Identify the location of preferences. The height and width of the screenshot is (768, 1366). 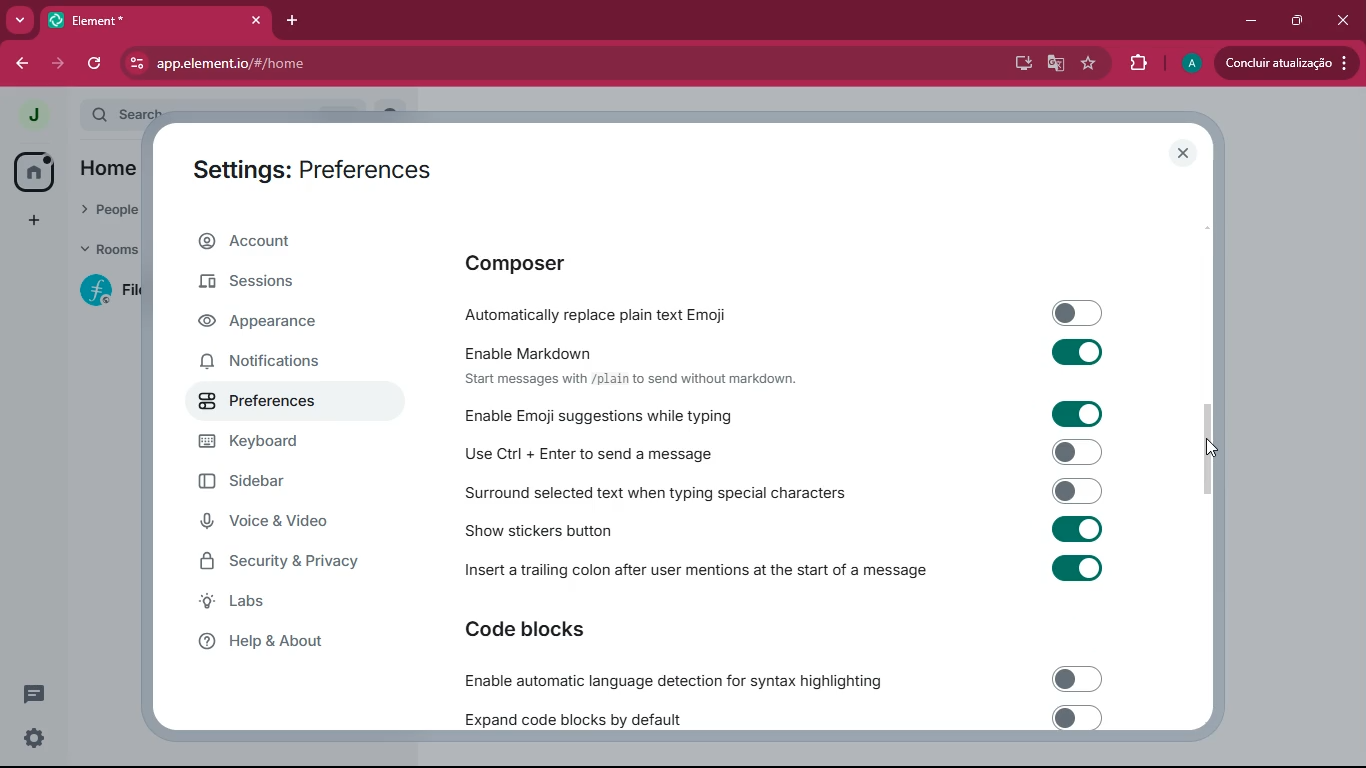
(275, 406).